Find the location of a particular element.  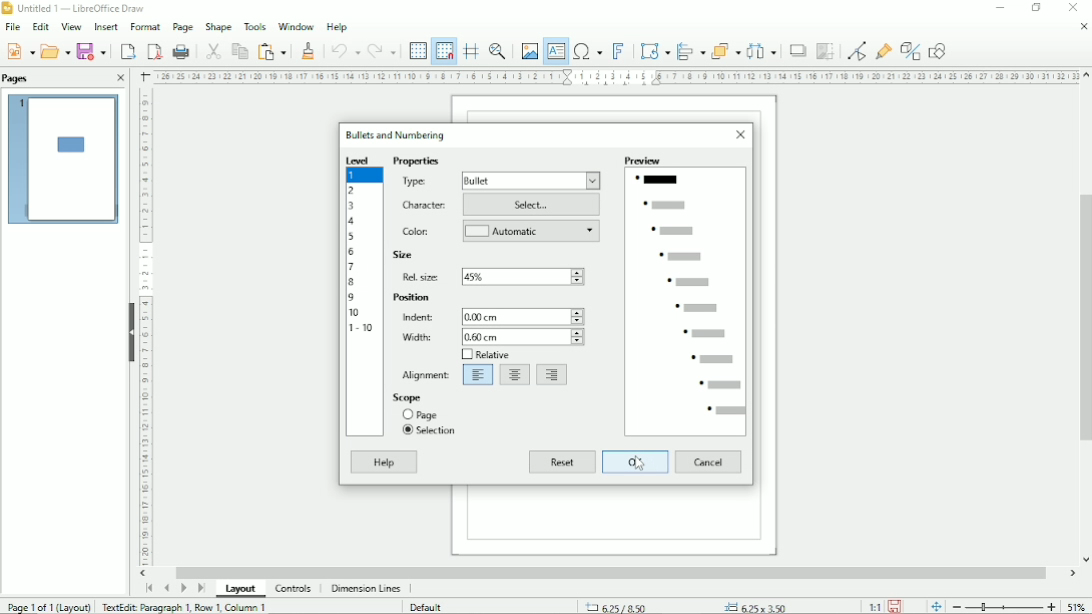

Help is located at coordinates (336, 27).